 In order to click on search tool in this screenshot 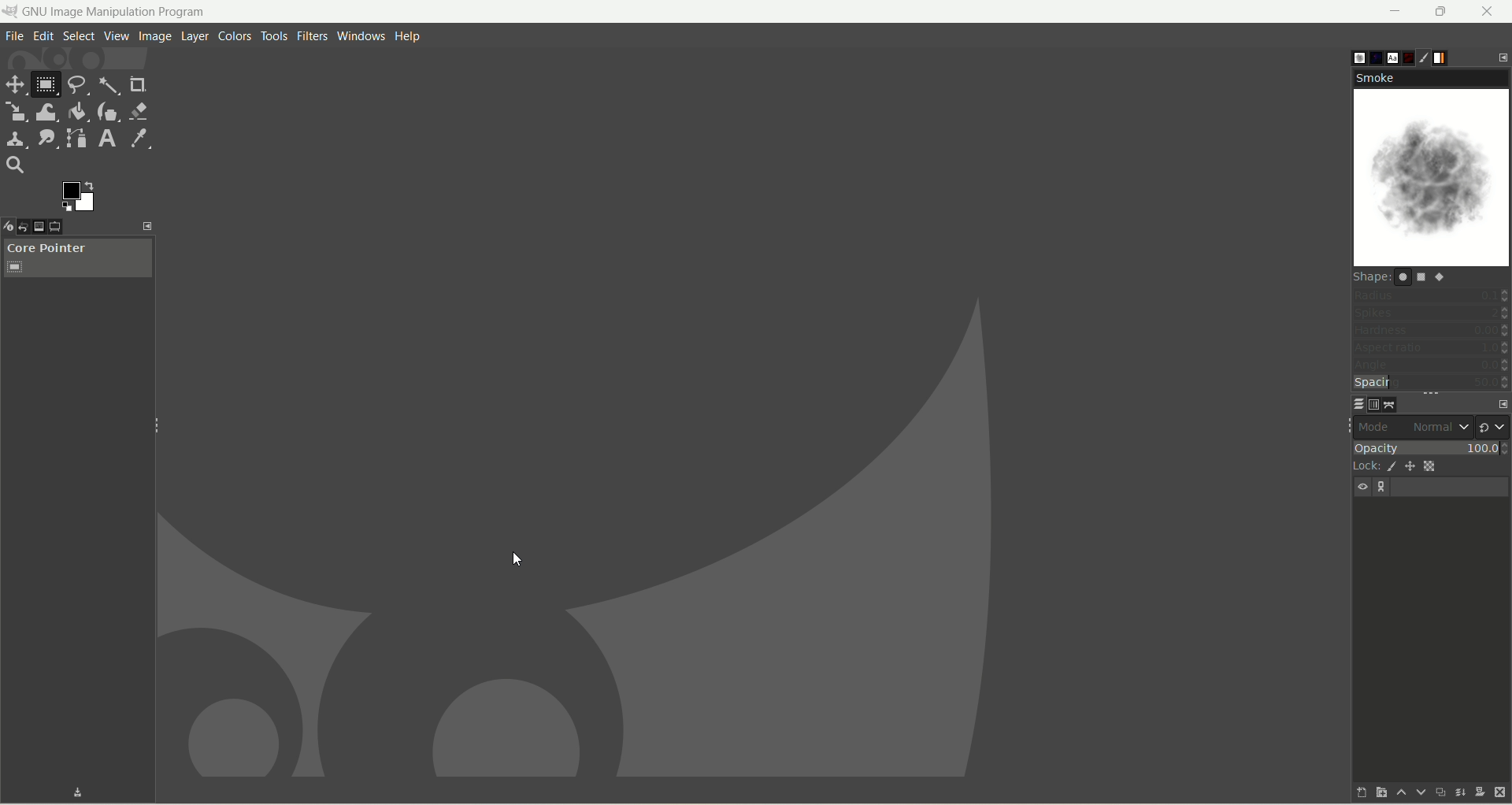, I will do `click(15, 166)`.